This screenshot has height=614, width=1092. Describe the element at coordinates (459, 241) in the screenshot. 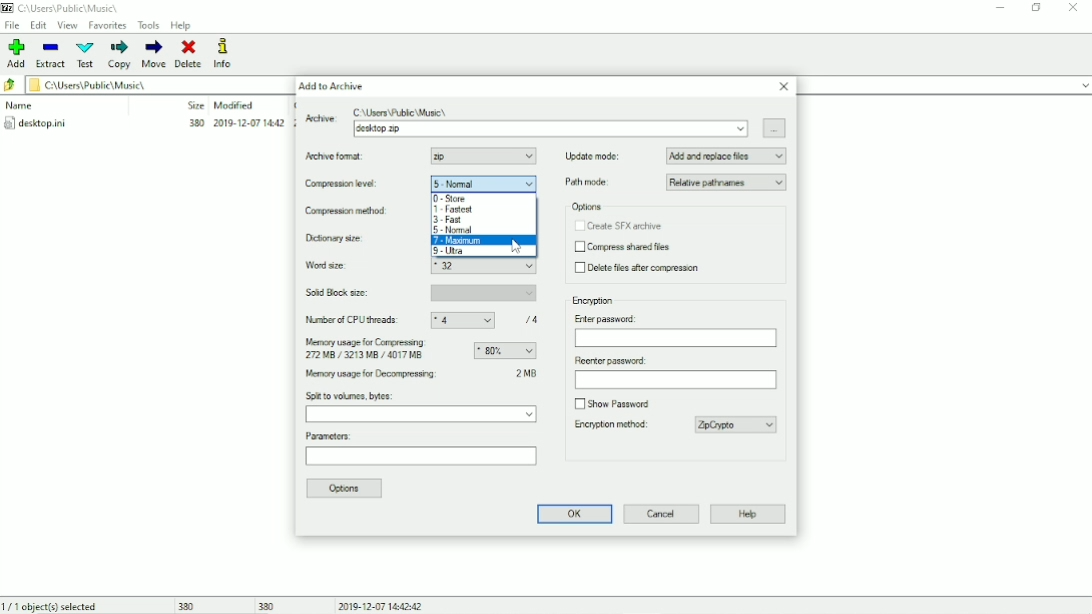

I see `7 - Maximum` at that location.